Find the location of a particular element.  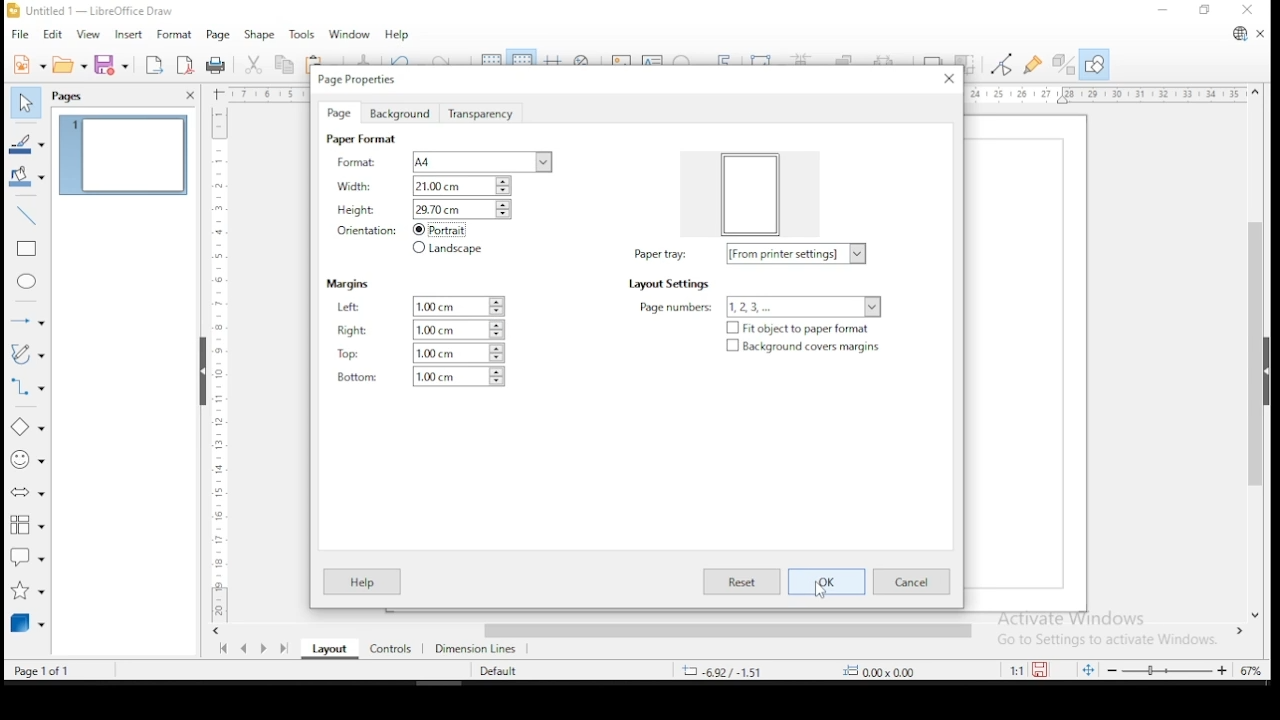

icon and file name is located at coordinates (102, 10).